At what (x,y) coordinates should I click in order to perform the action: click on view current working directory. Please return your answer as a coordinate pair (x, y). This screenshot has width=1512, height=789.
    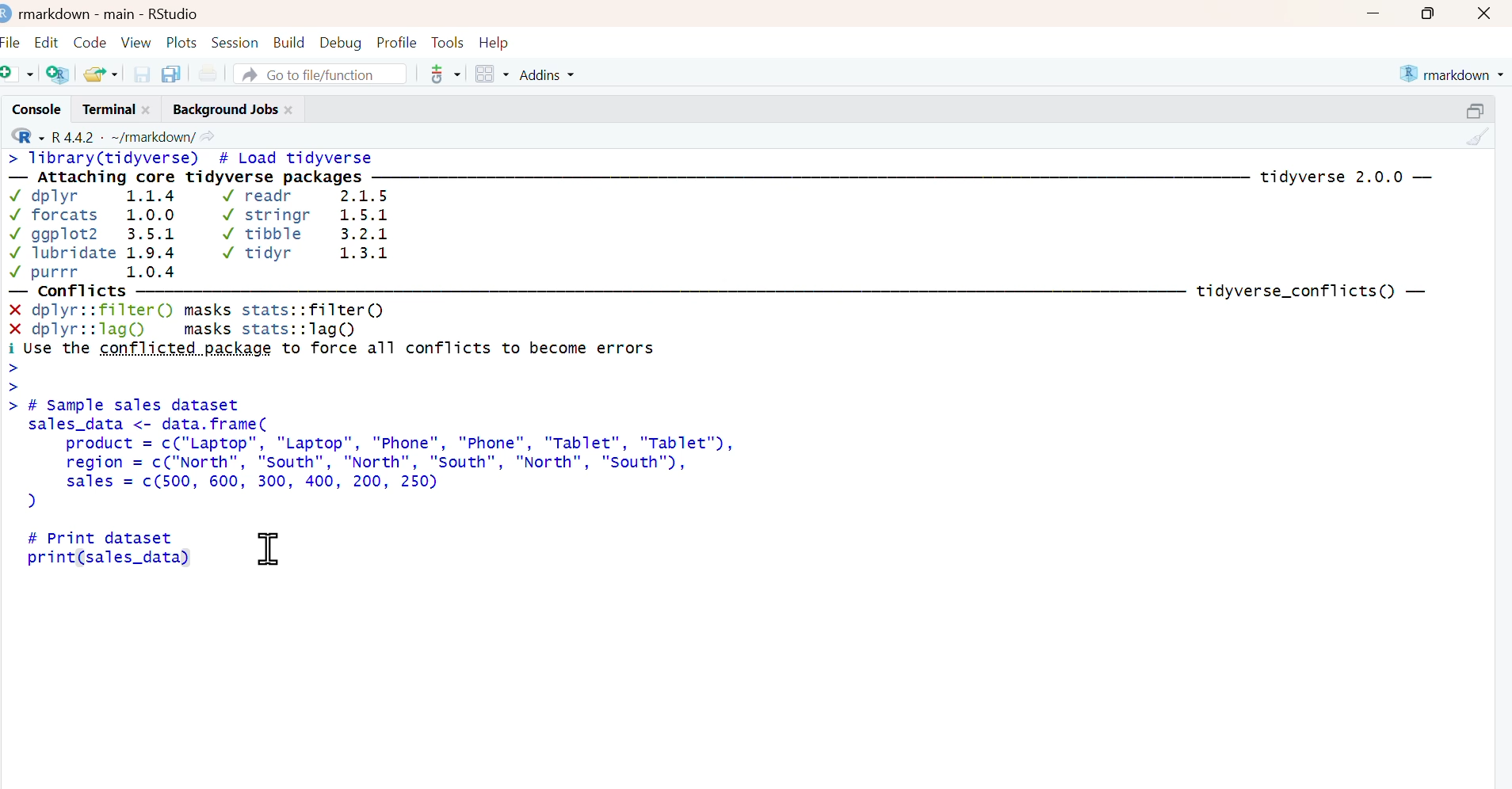
    Looking at the image, I should click on (208, 135).